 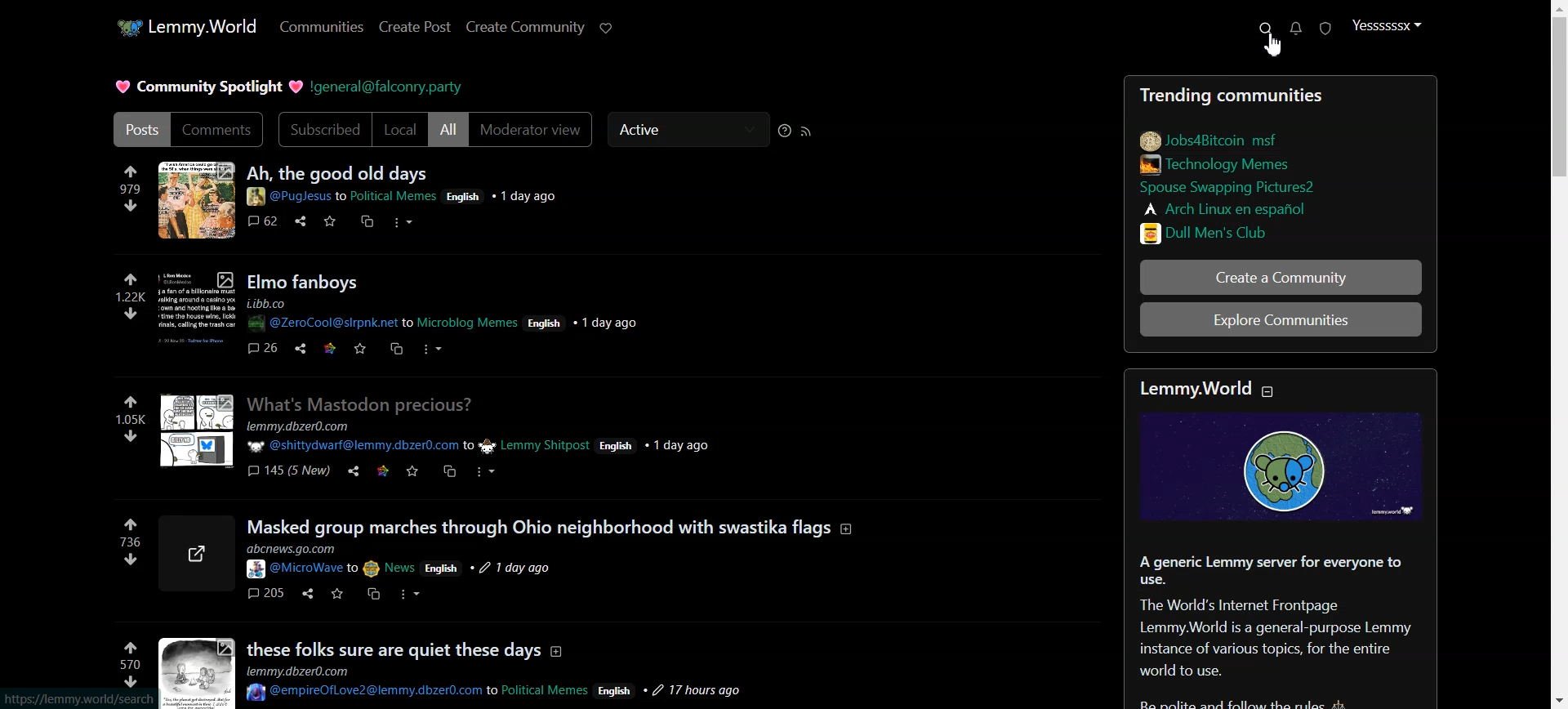 What do you see at coordinates (127, 313) in the screenshot?
I see `downvote` at bounding box center [127, 313].